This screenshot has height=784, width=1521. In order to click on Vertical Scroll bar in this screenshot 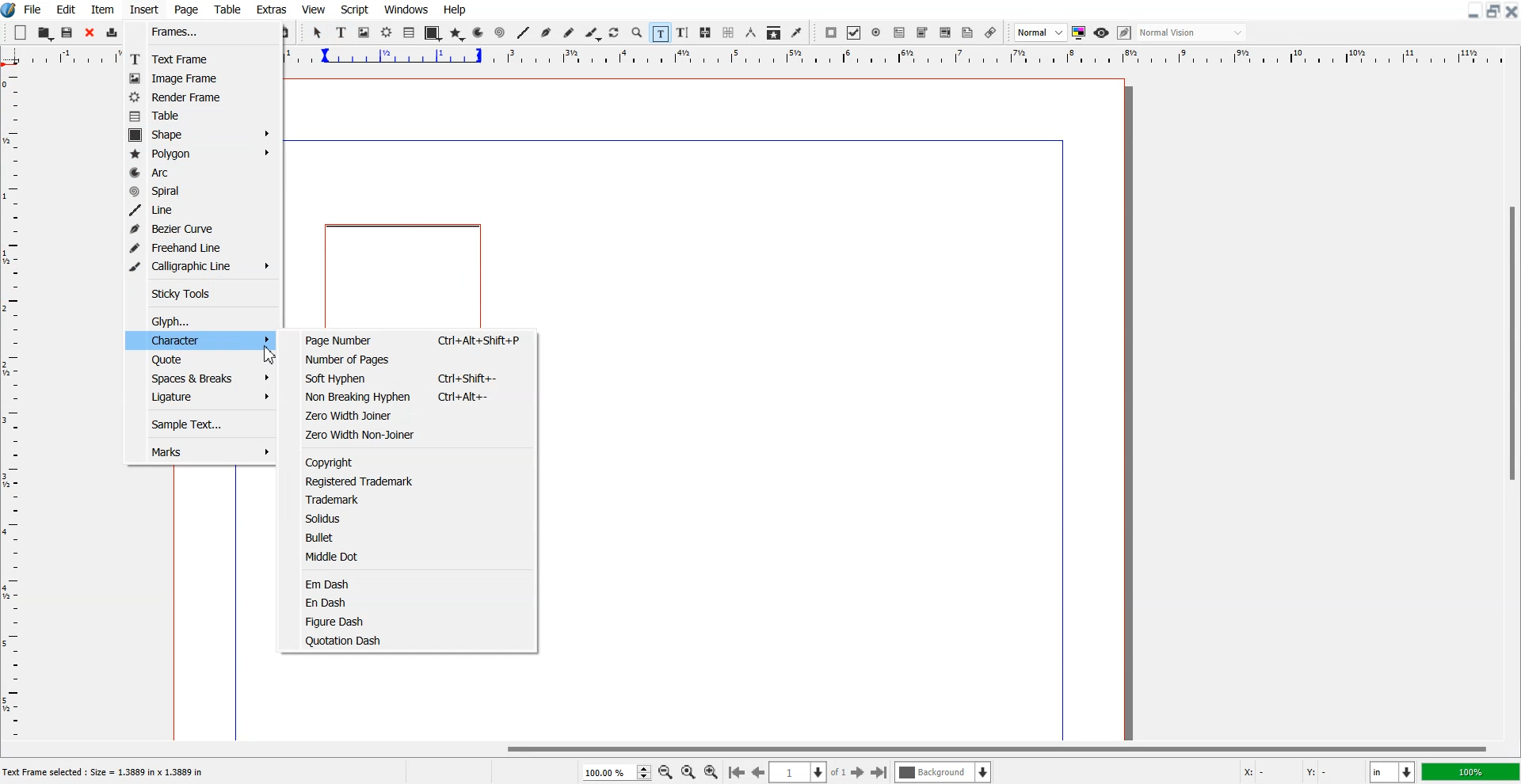, I will do `click(1511, 404)`.